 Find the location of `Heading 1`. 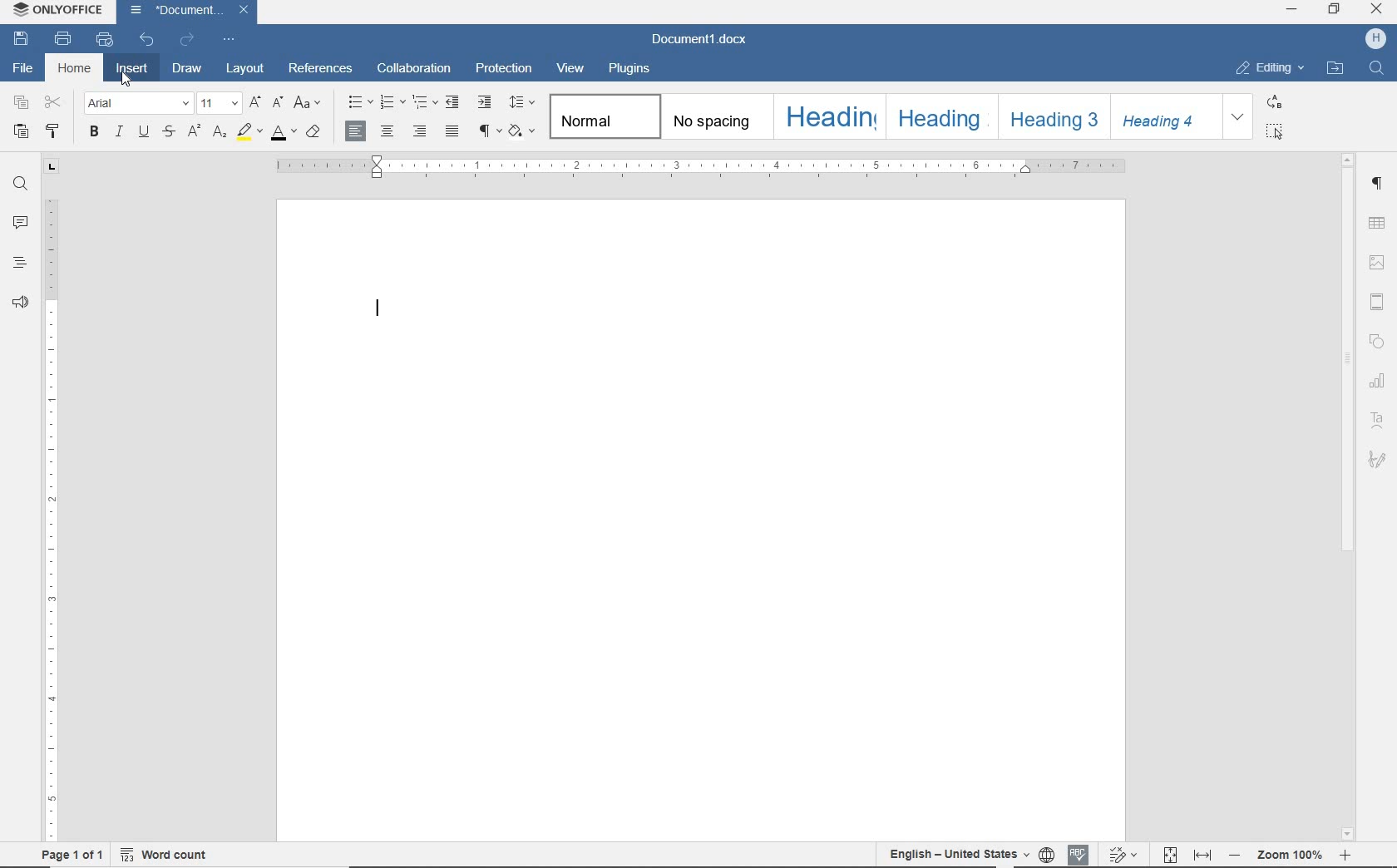

Heading 1 is located at coordinates (830, 118).